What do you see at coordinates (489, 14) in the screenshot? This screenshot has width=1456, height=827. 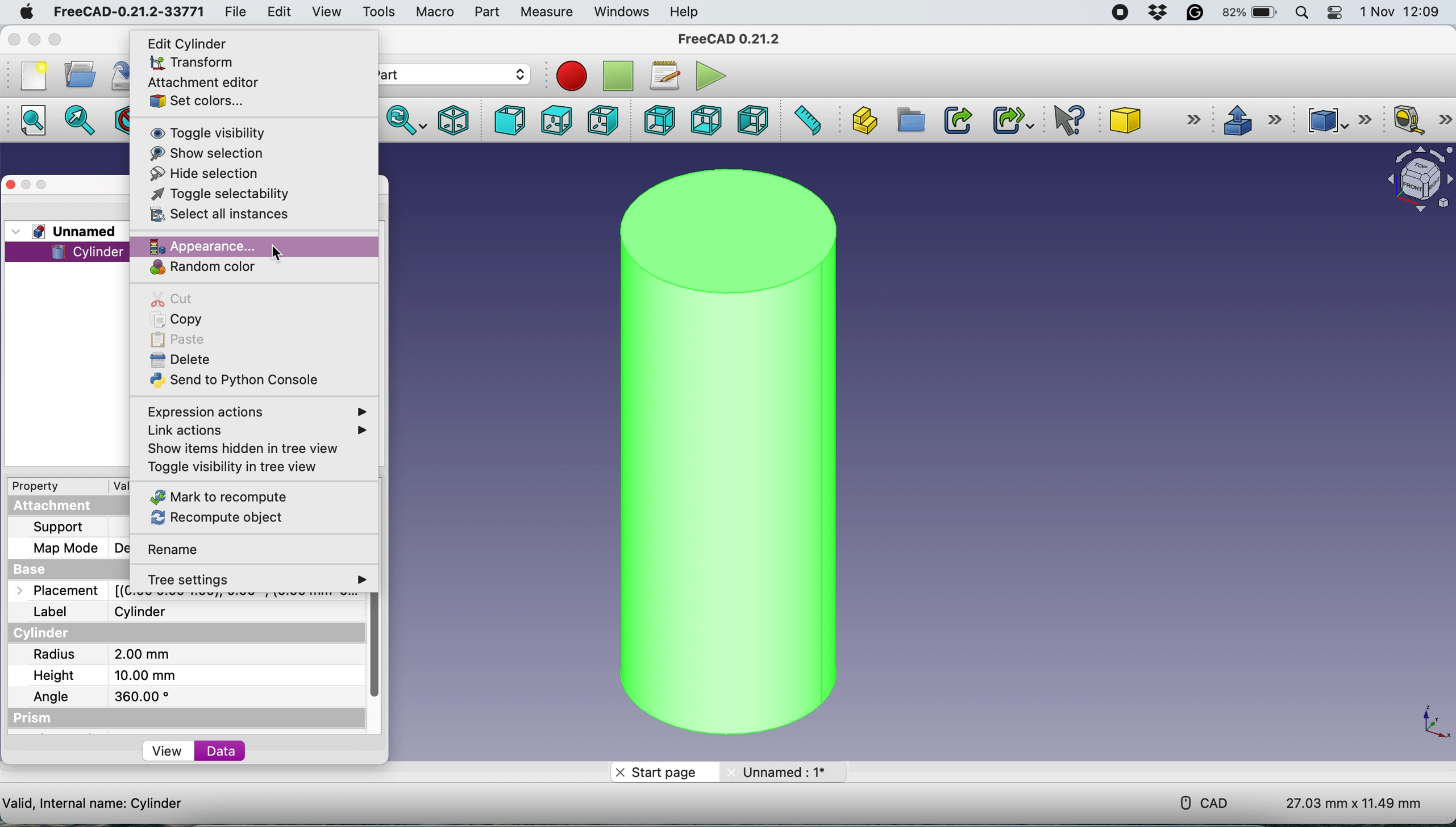 I see `part` at bounding box center [489, 14].